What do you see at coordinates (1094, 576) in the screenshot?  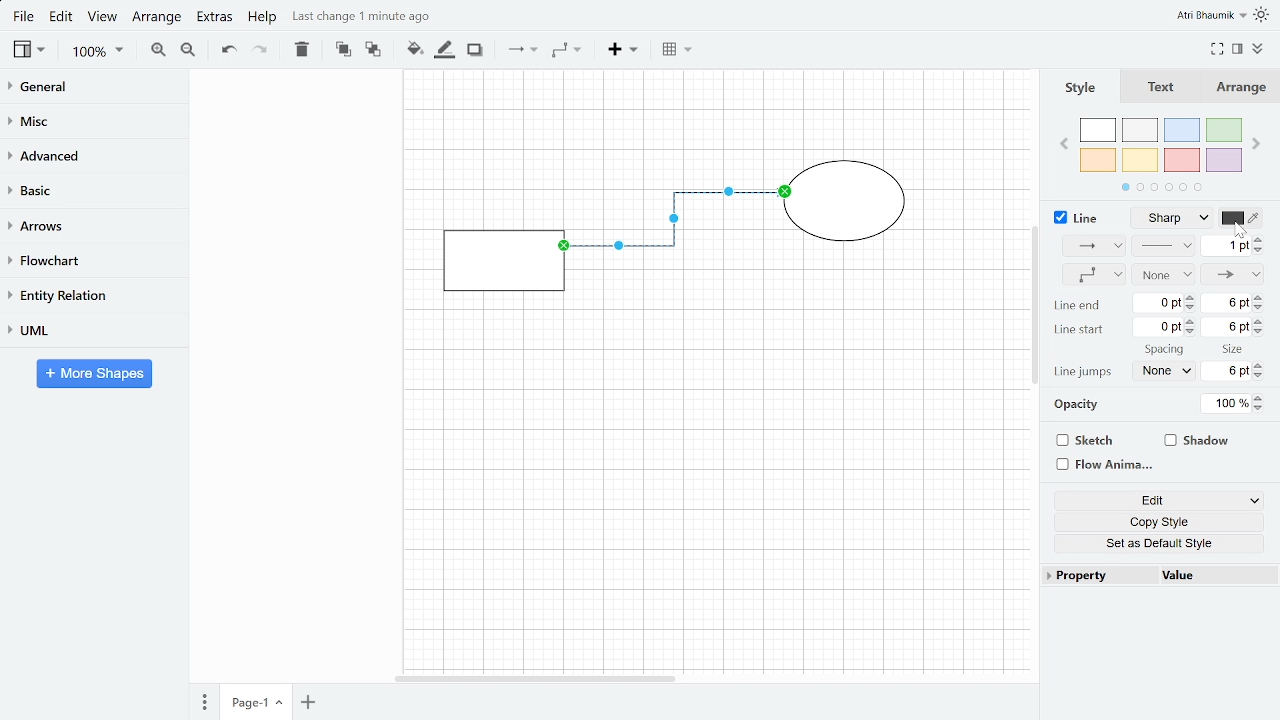 I see `property` at bounding box center [1094, 576].